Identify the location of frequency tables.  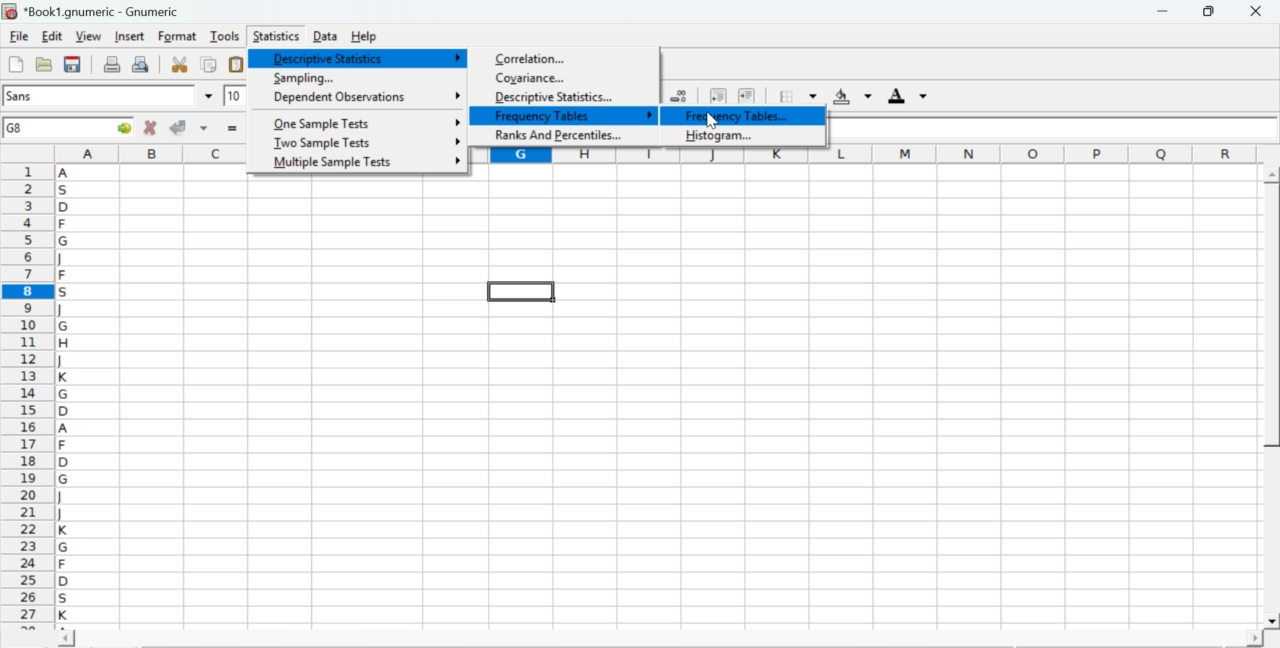
(546, 117).